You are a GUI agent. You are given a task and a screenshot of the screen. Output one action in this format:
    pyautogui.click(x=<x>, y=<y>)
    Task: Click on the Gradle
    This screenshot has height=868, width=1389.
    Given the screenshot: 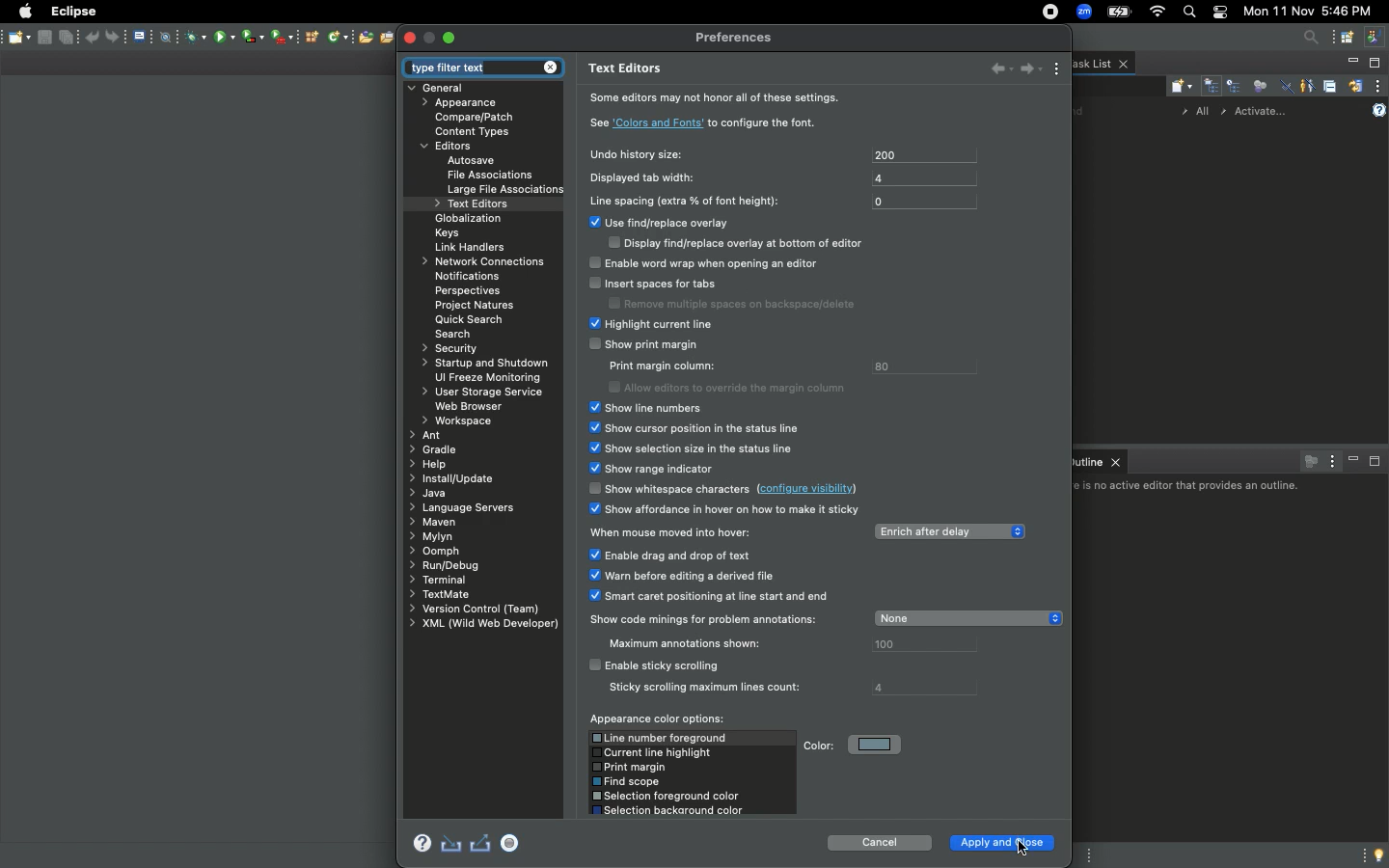 What is the action you would take?
    pyautogui.click(x=435, y=448)
    